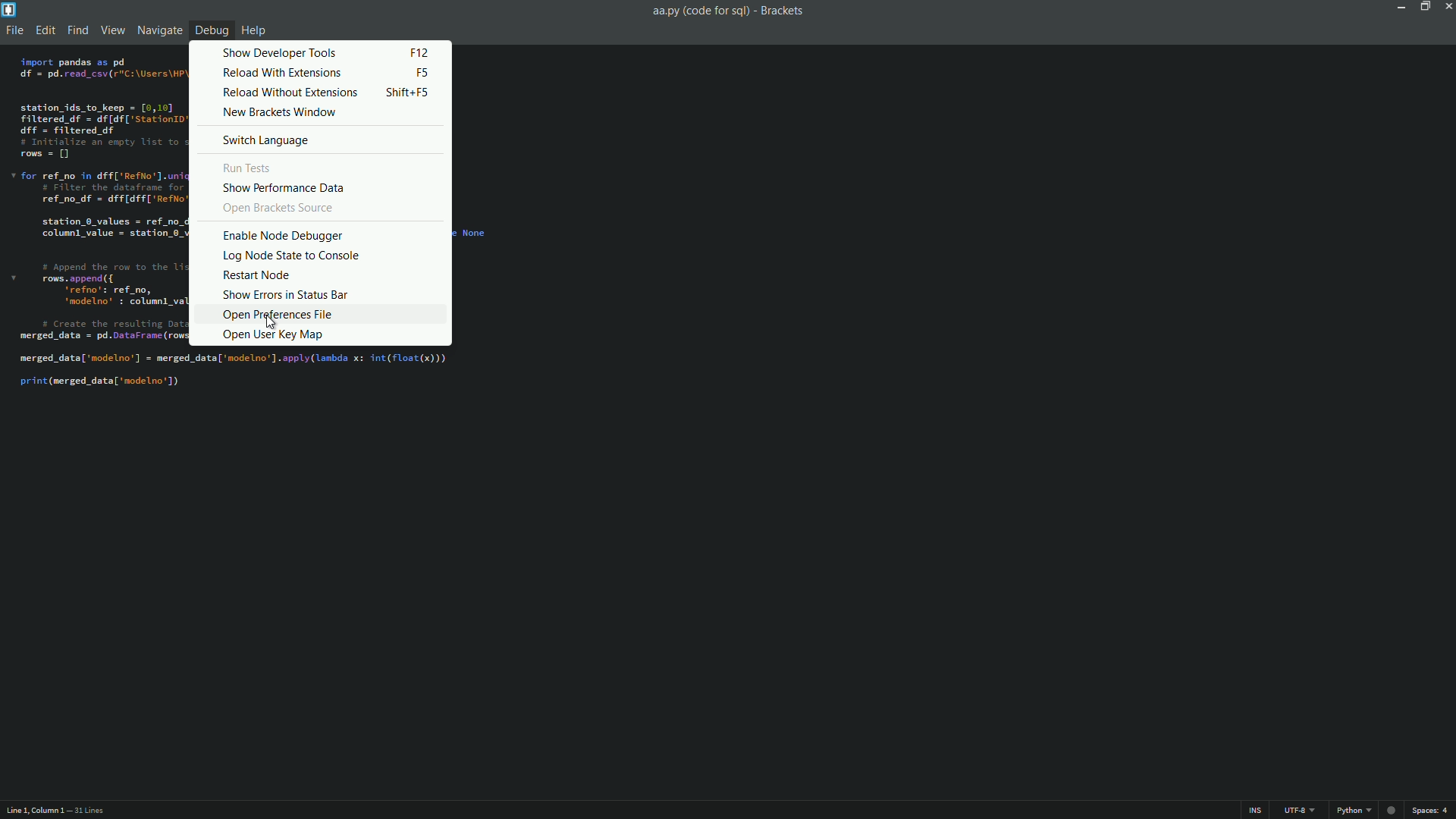 Image resolution: width=1456 pixels, height=819 pixels. I want to click on aa.py(code for sql), so click(699, 10).